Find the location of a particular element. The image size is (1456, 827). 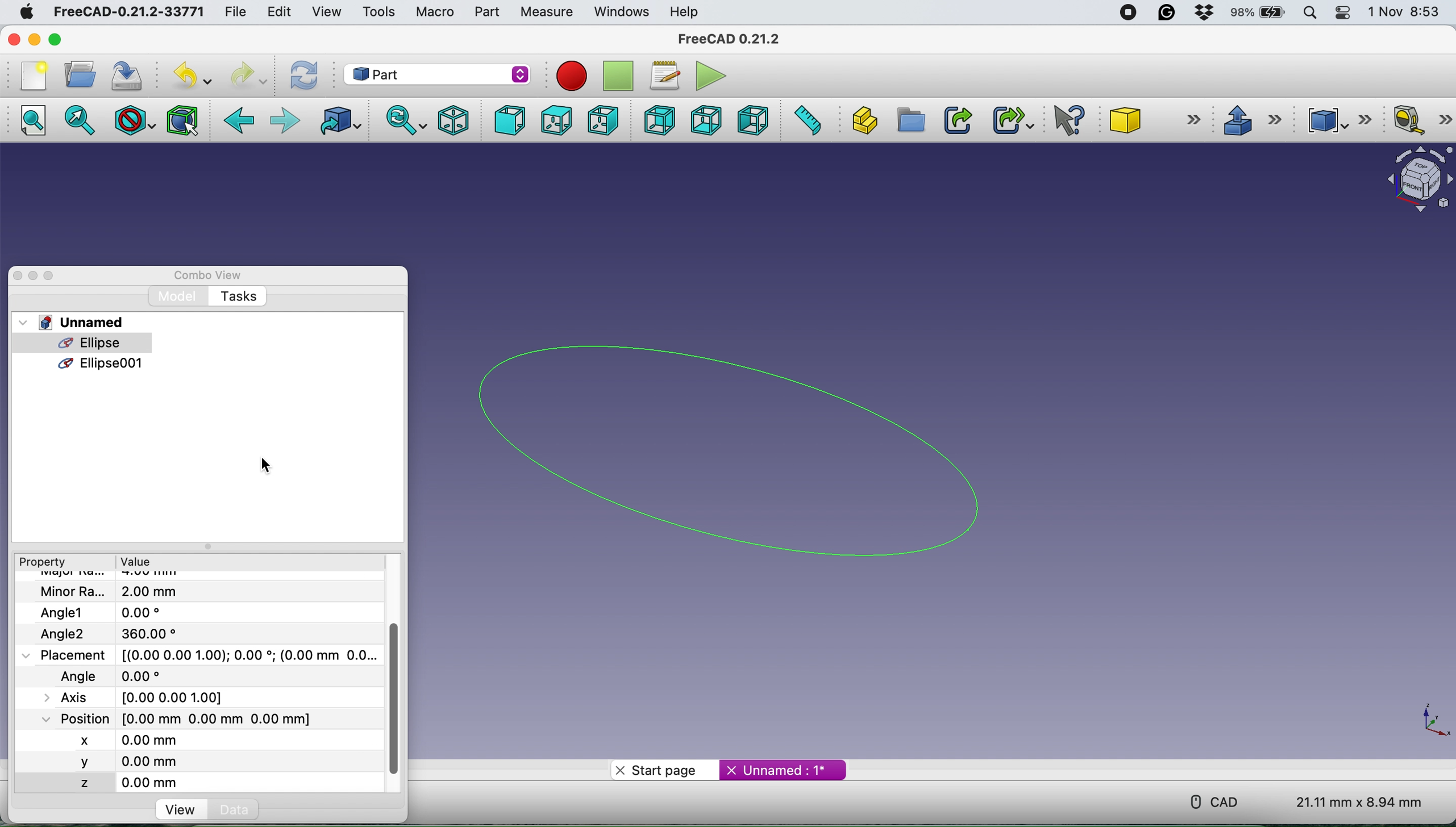

object interface is located at coordinates (1411, 177).